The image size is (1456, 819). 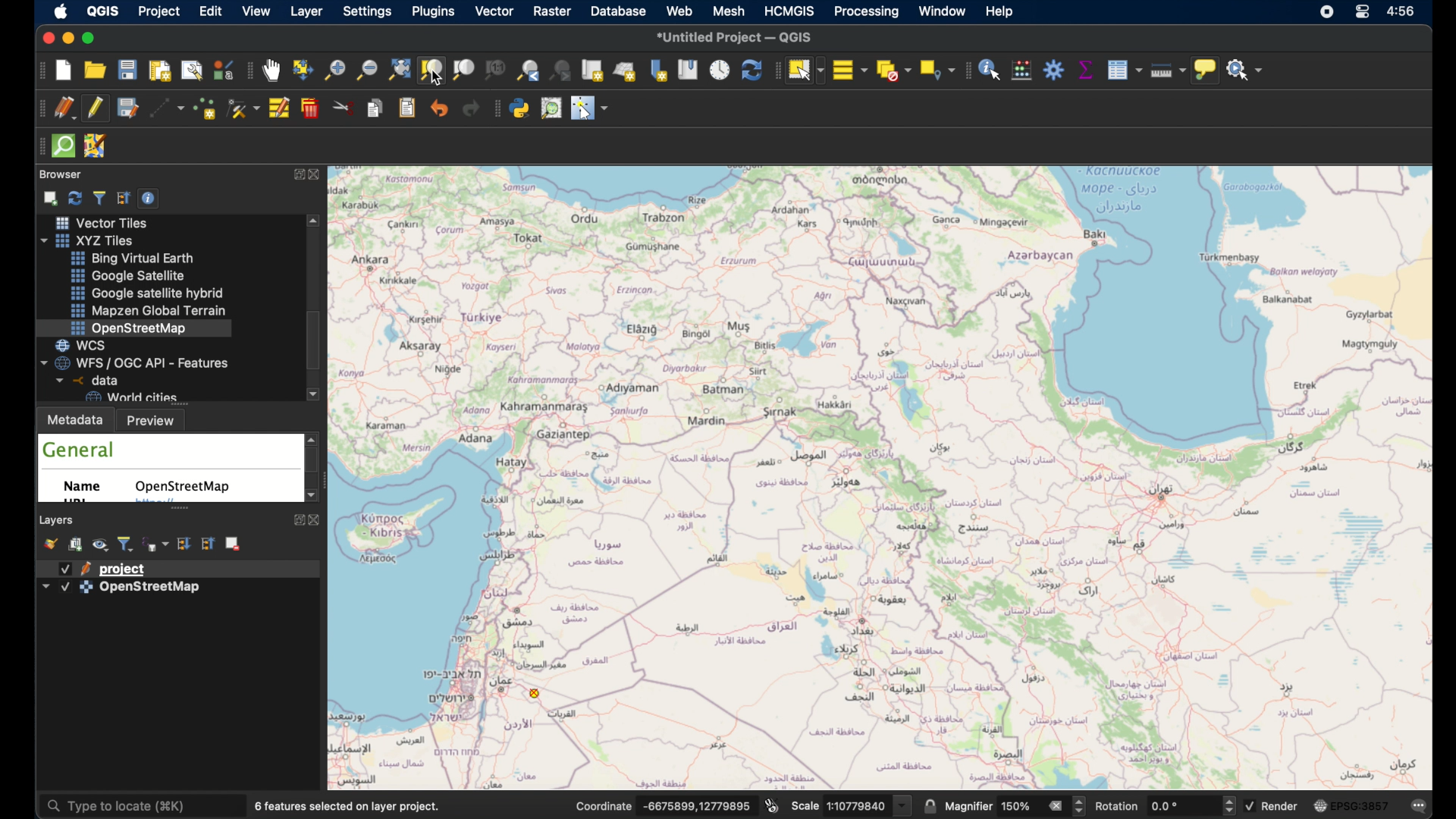 I want to click on plugins, so click(x=433, y=13).